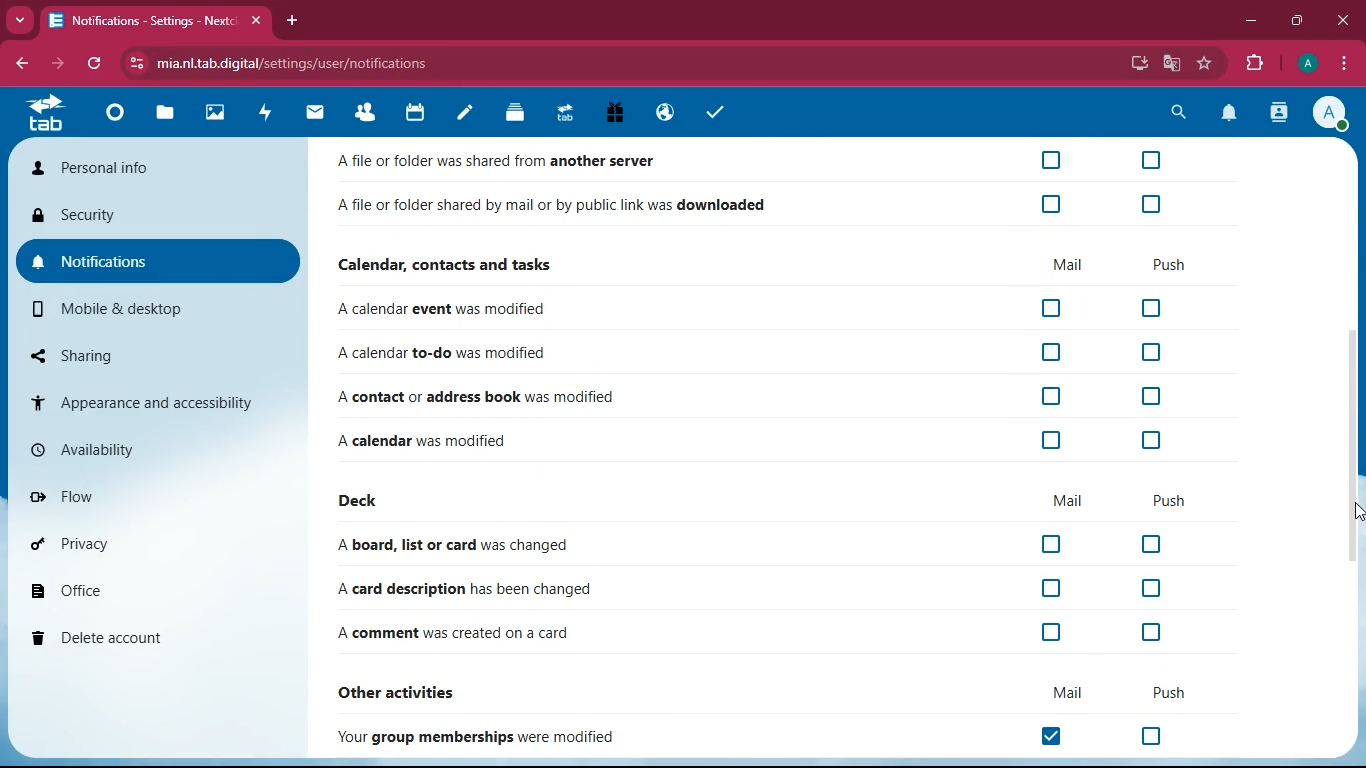  What do you see at coordinates (363, 502) in the screenshot?
I see `deck` at bounding box center [363, 502].